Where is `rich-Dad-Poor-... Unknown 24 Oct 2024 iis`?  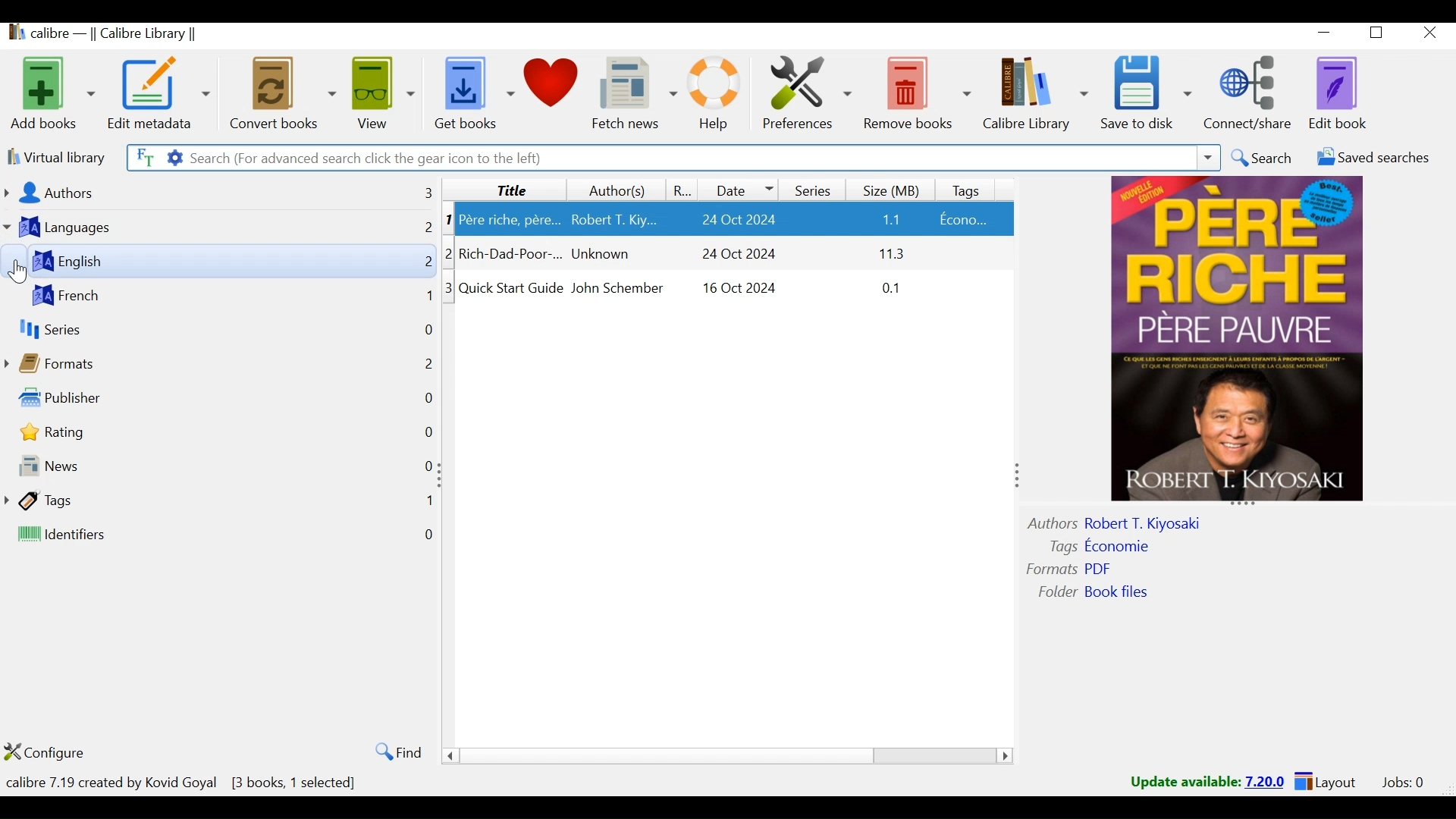 rich-Dad-Poor-... Unknown 24 Oct 2024 iis is located at coordinates (735, 256).